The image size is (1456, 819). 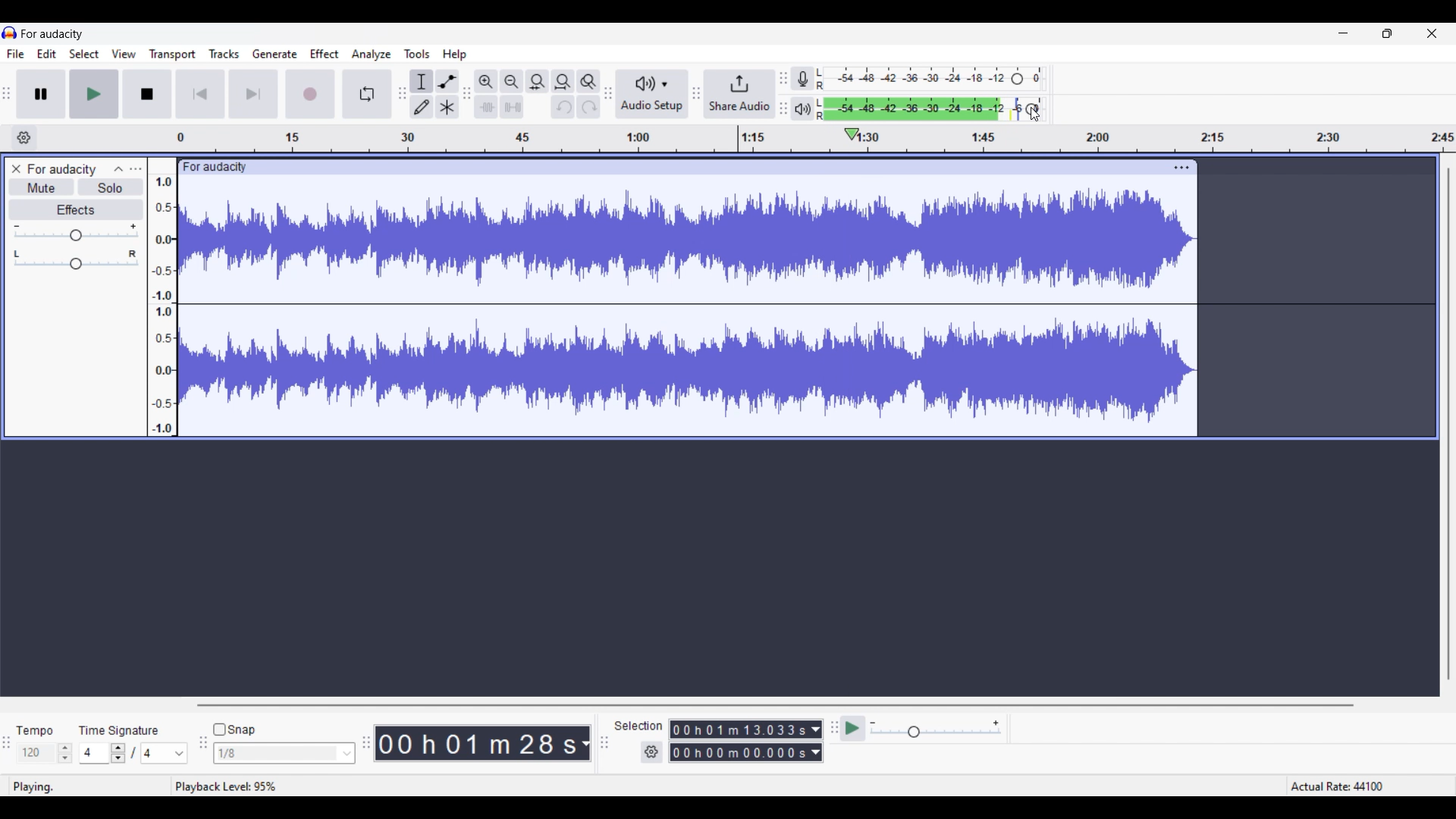 I want to click on Generate menu, so click(x=275, y=54).